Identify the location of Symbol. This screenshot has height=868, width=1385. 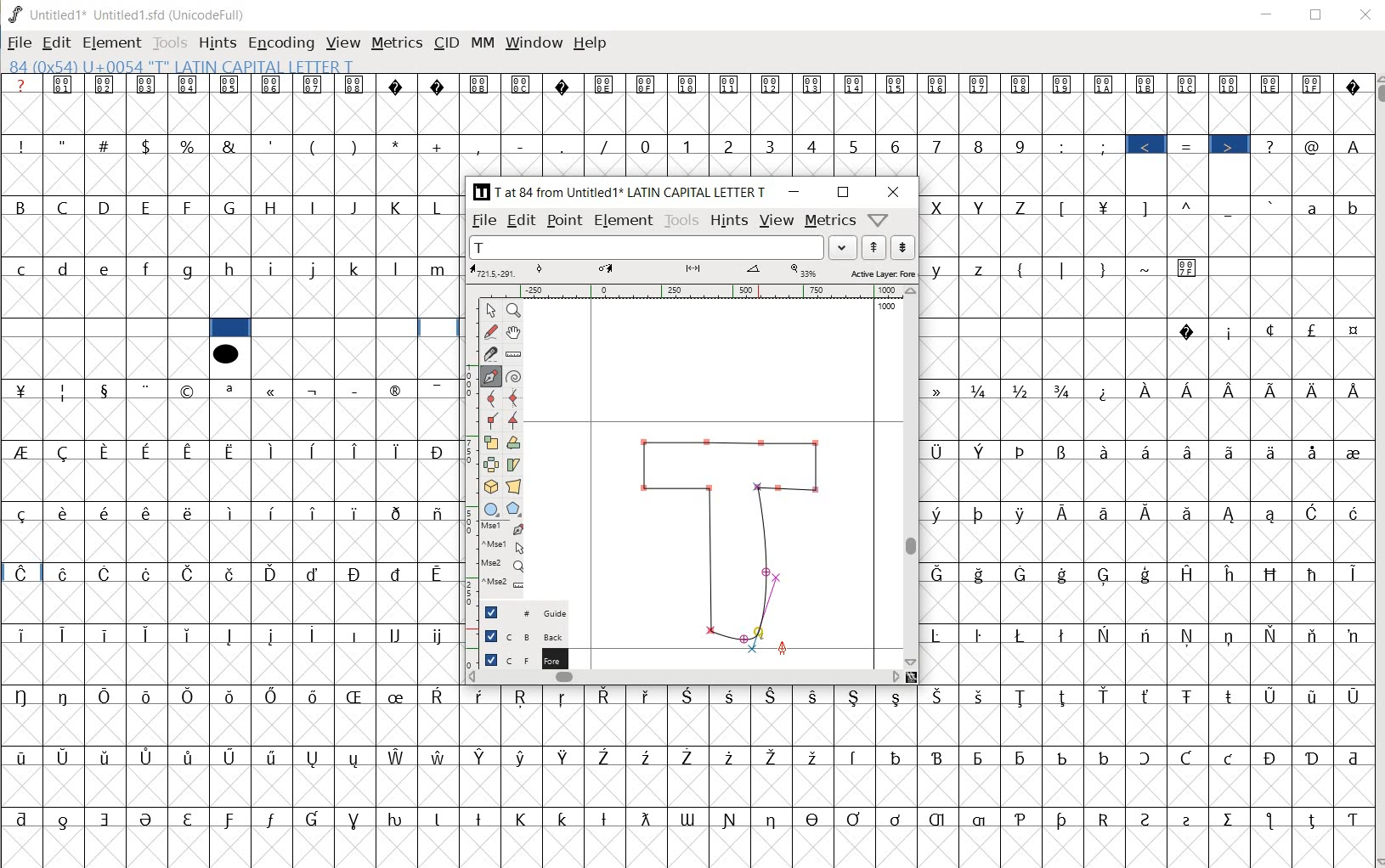
(1150, 391).